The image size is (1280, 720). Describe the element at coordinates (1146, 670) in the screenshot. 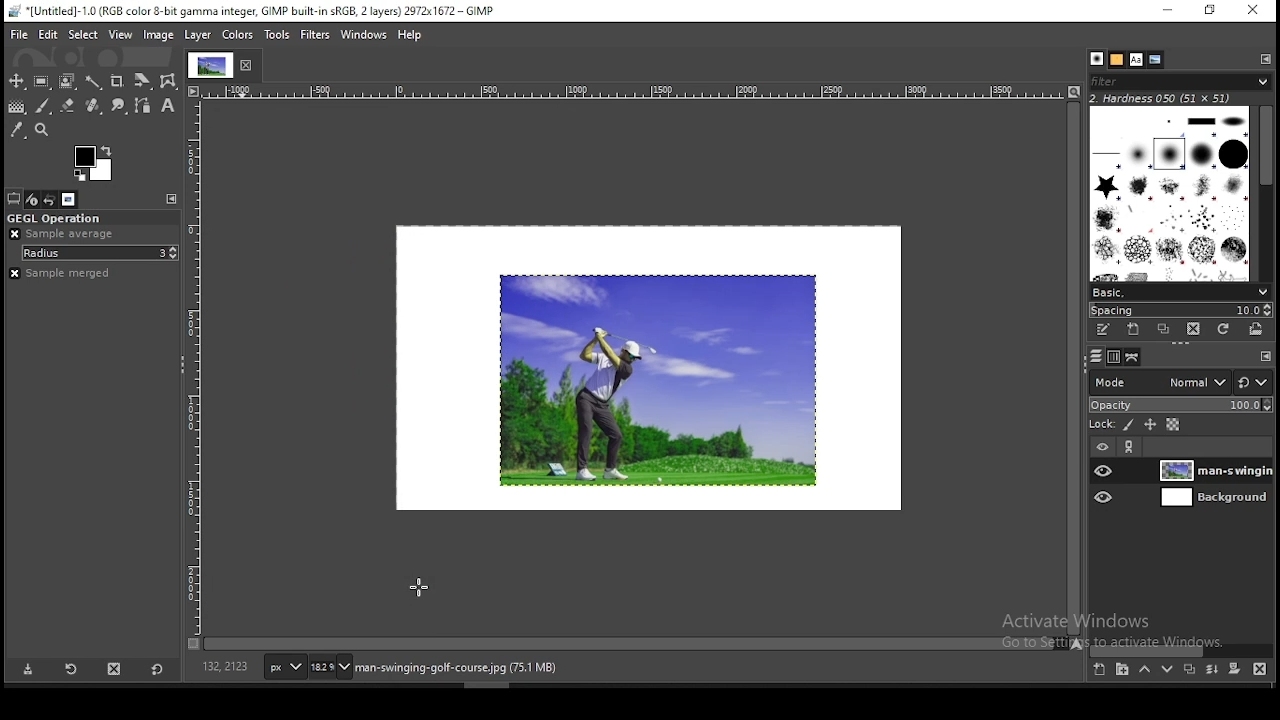

I see `move layer on step up` at that location.